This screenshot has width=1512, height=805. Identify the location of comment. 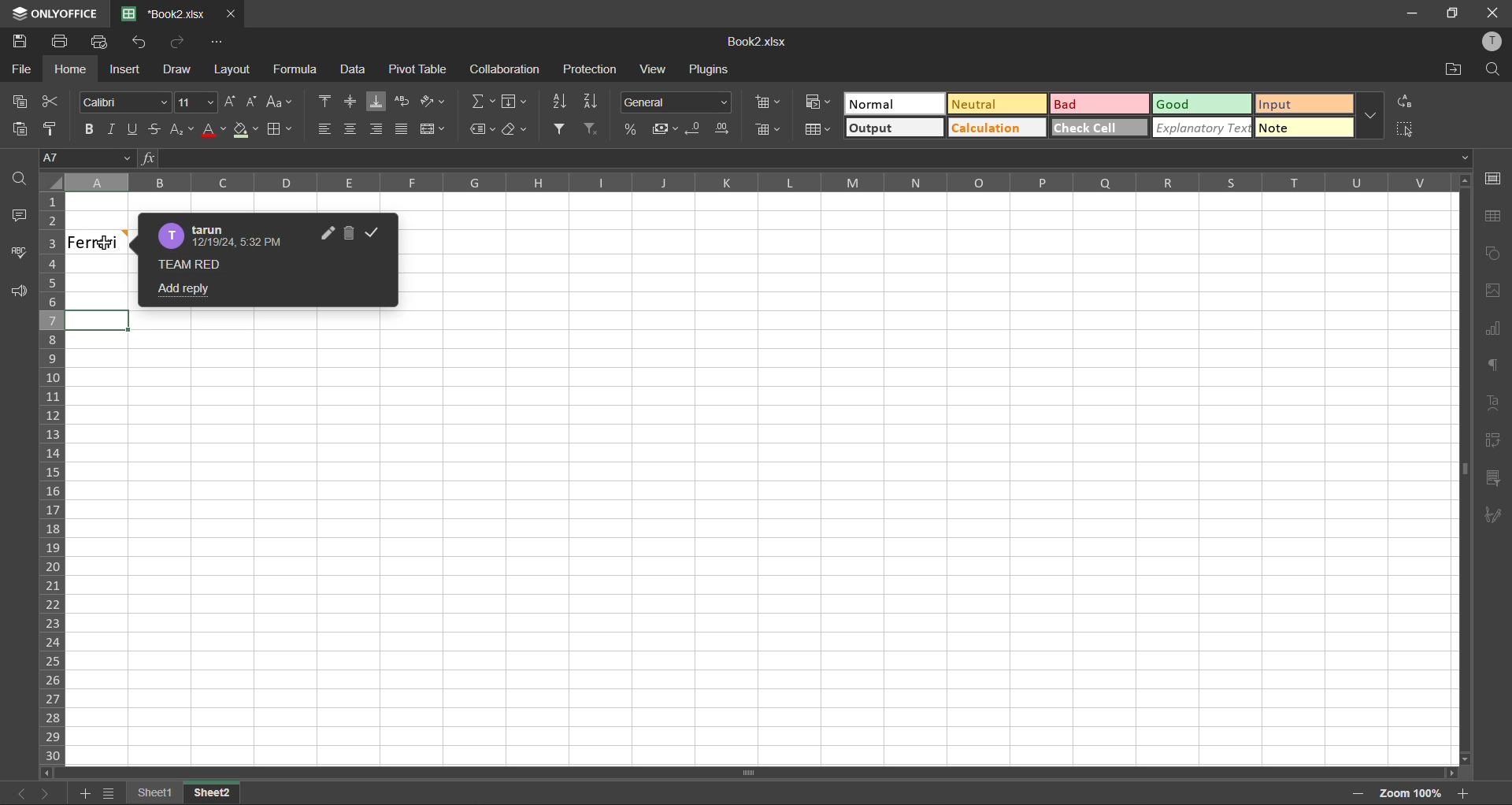
(203, 267).